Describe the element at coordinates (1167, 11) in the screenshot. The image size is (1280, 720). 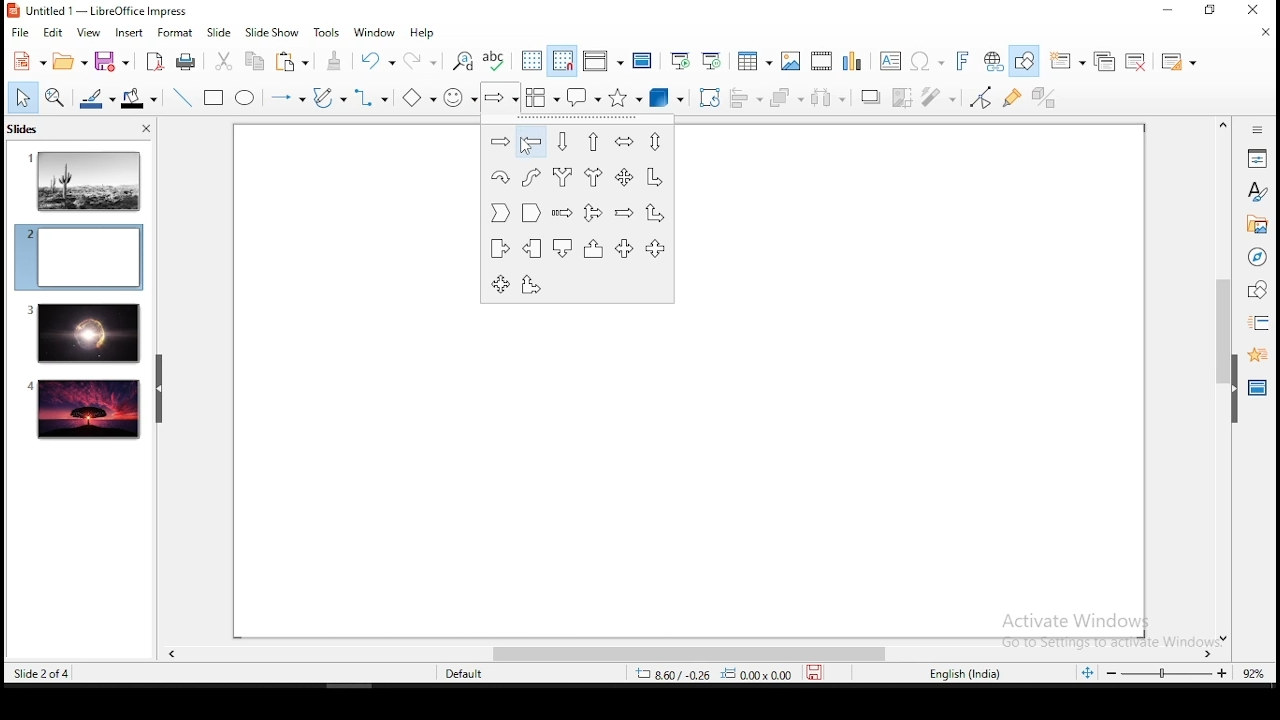
I see `minimize` at that location.